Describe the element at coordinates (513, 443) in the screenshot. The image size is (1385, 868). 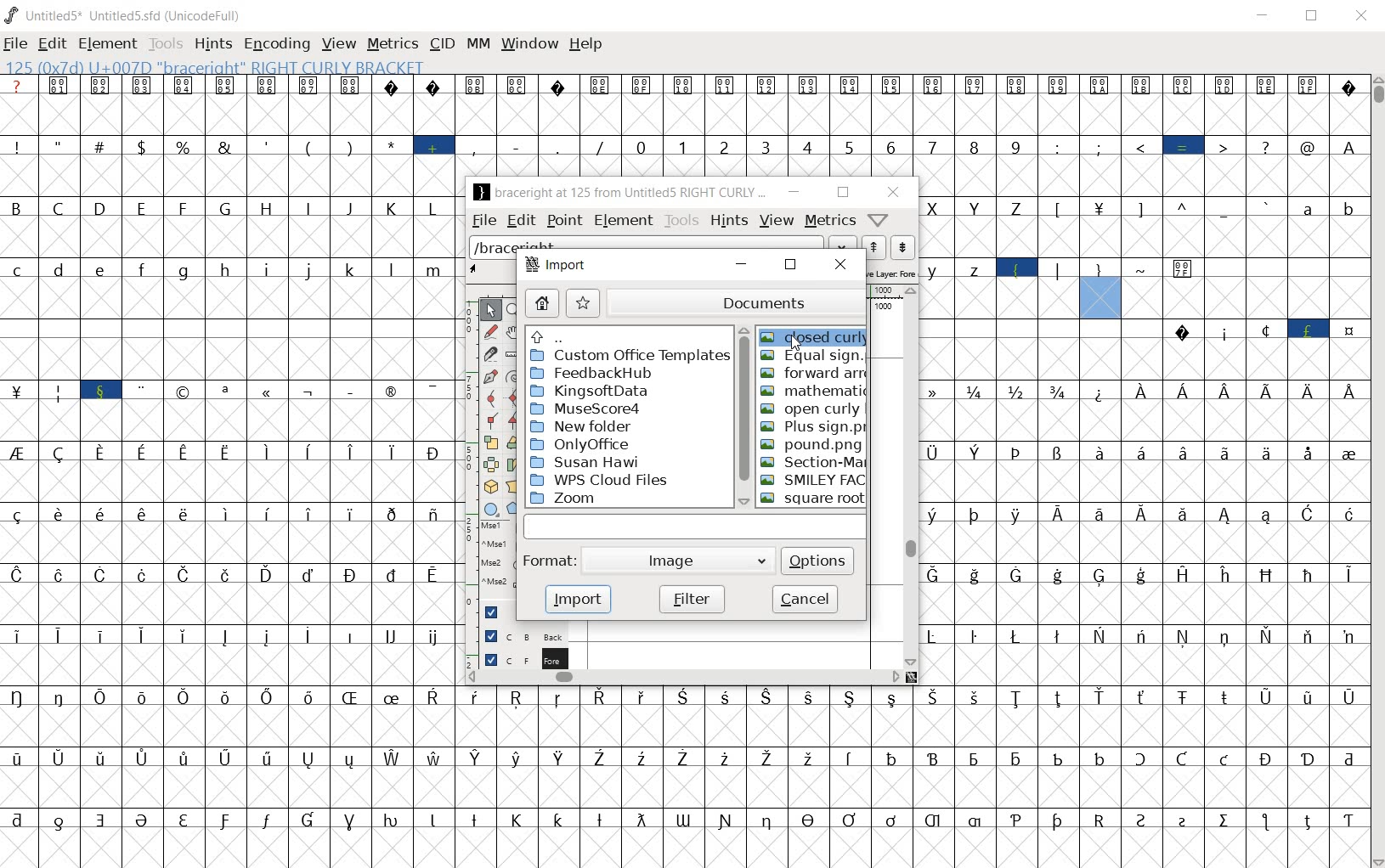
I see `flip the selection` at that location.